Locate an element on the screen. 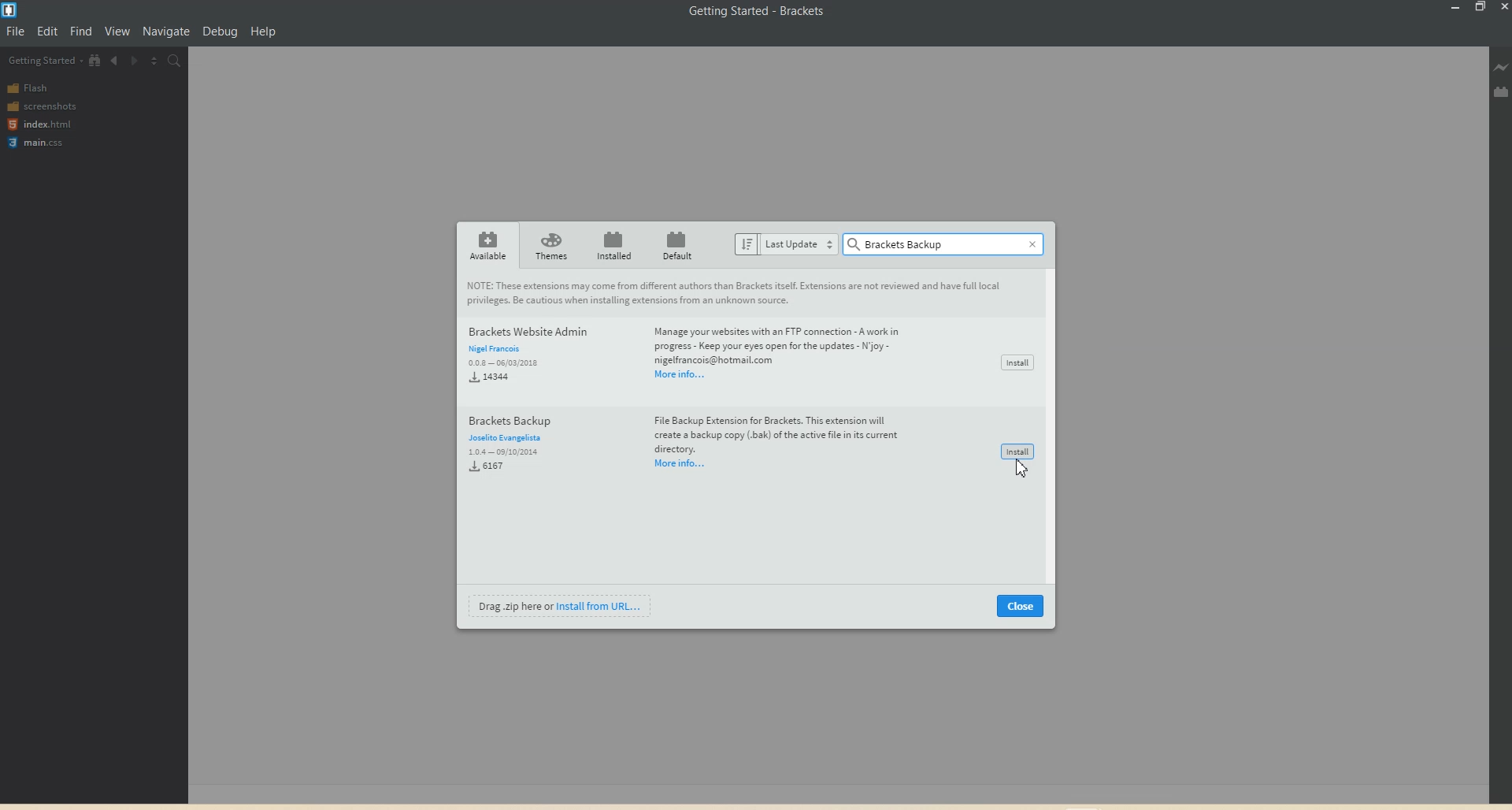 The height and width of the screenshot is (810, 1512). Edit is located at coordinates (48, 31).